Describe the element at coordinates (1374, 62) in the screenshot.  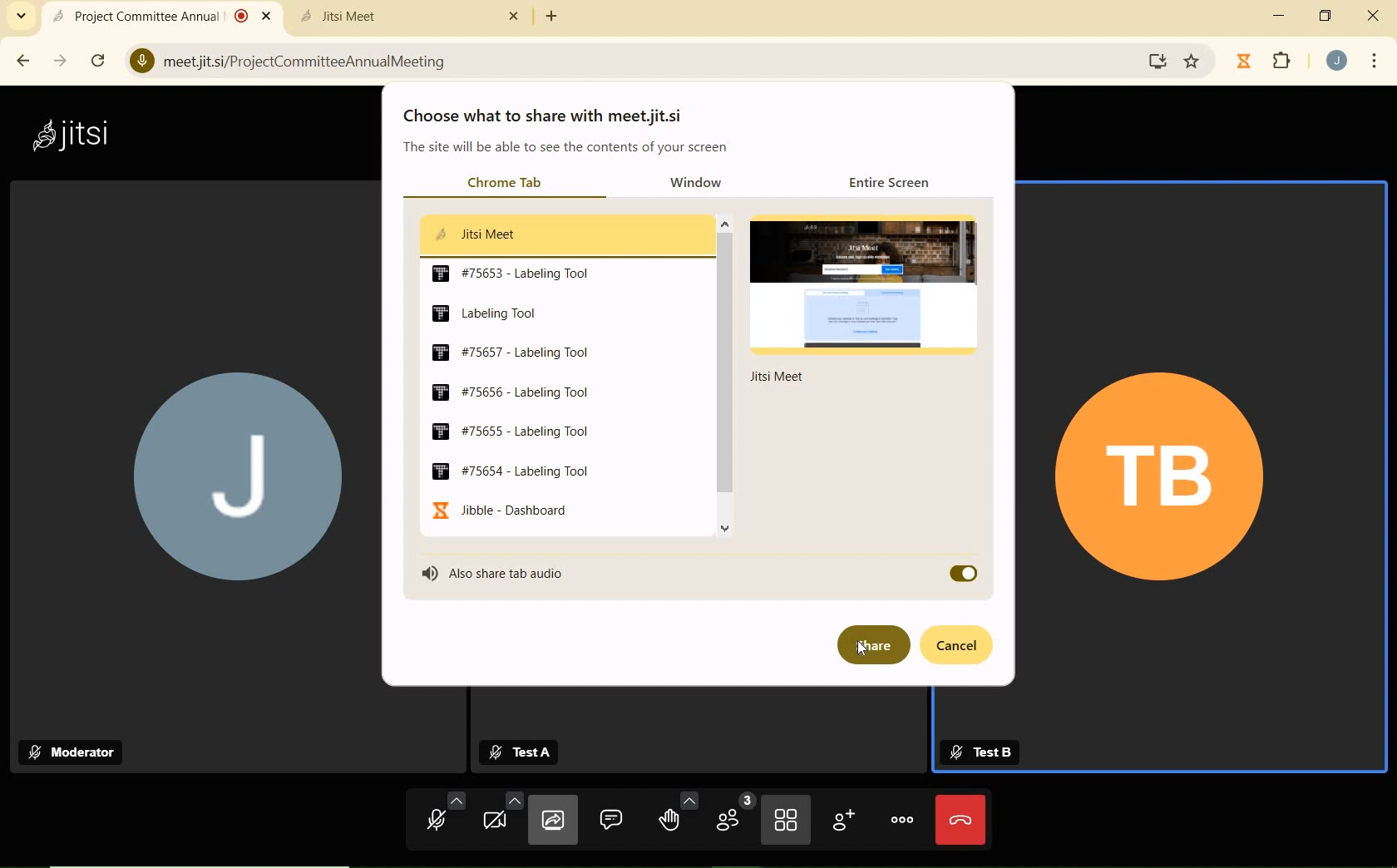
I see `customize google chrome` at that location.